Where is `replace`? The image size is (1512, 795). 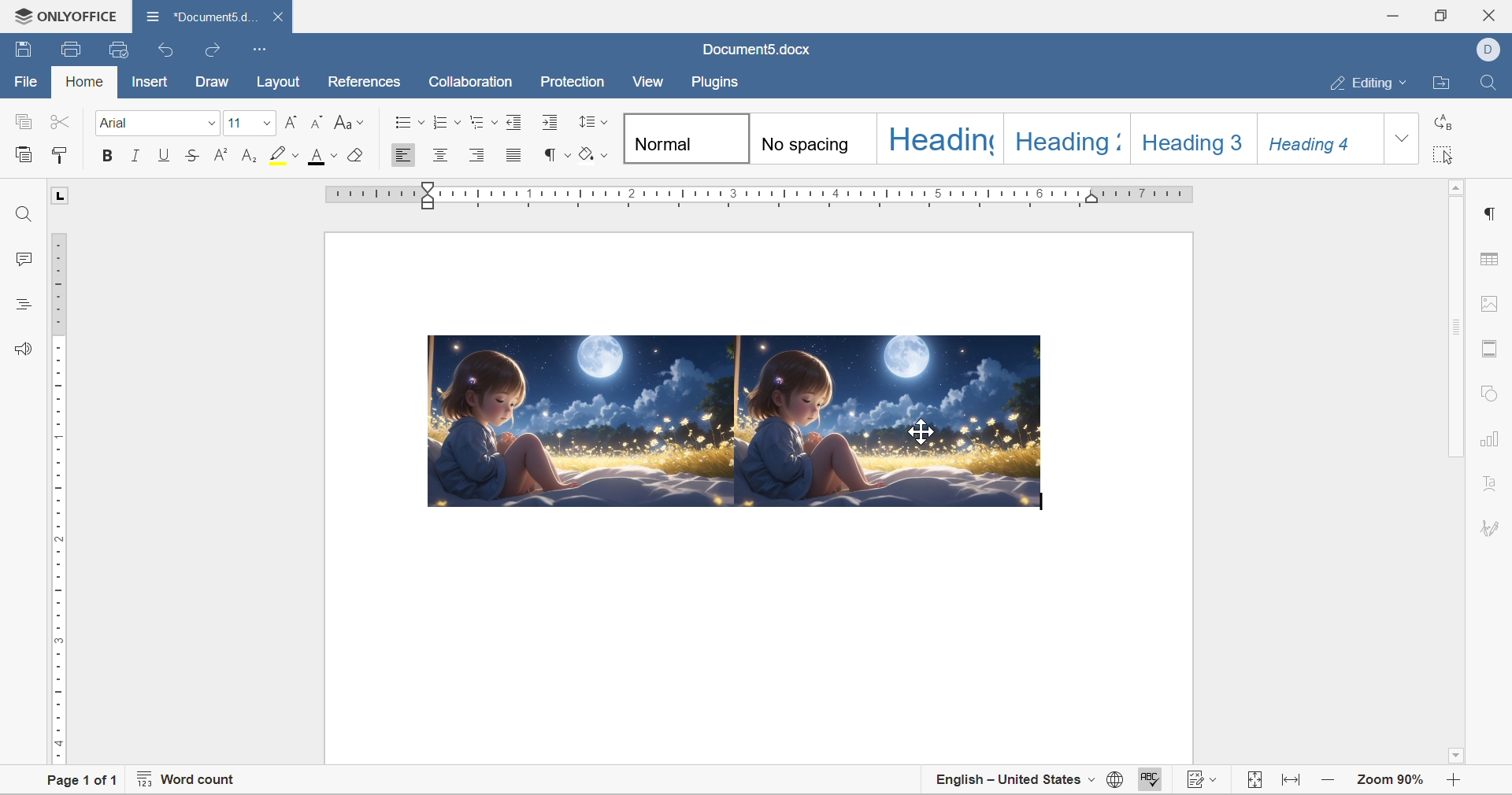
replace is located at coordinates (1441, 120).